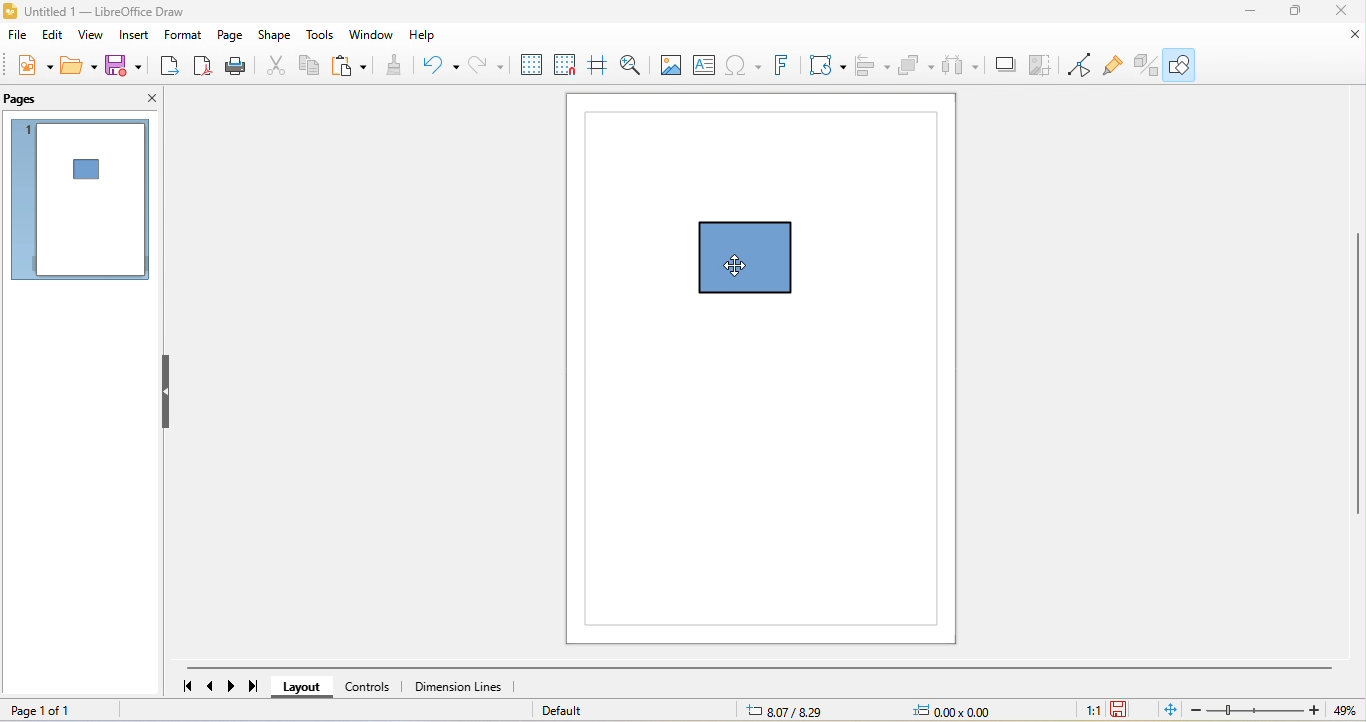 The image size is (1366, 722). I want to click on print, so click(240, 68).